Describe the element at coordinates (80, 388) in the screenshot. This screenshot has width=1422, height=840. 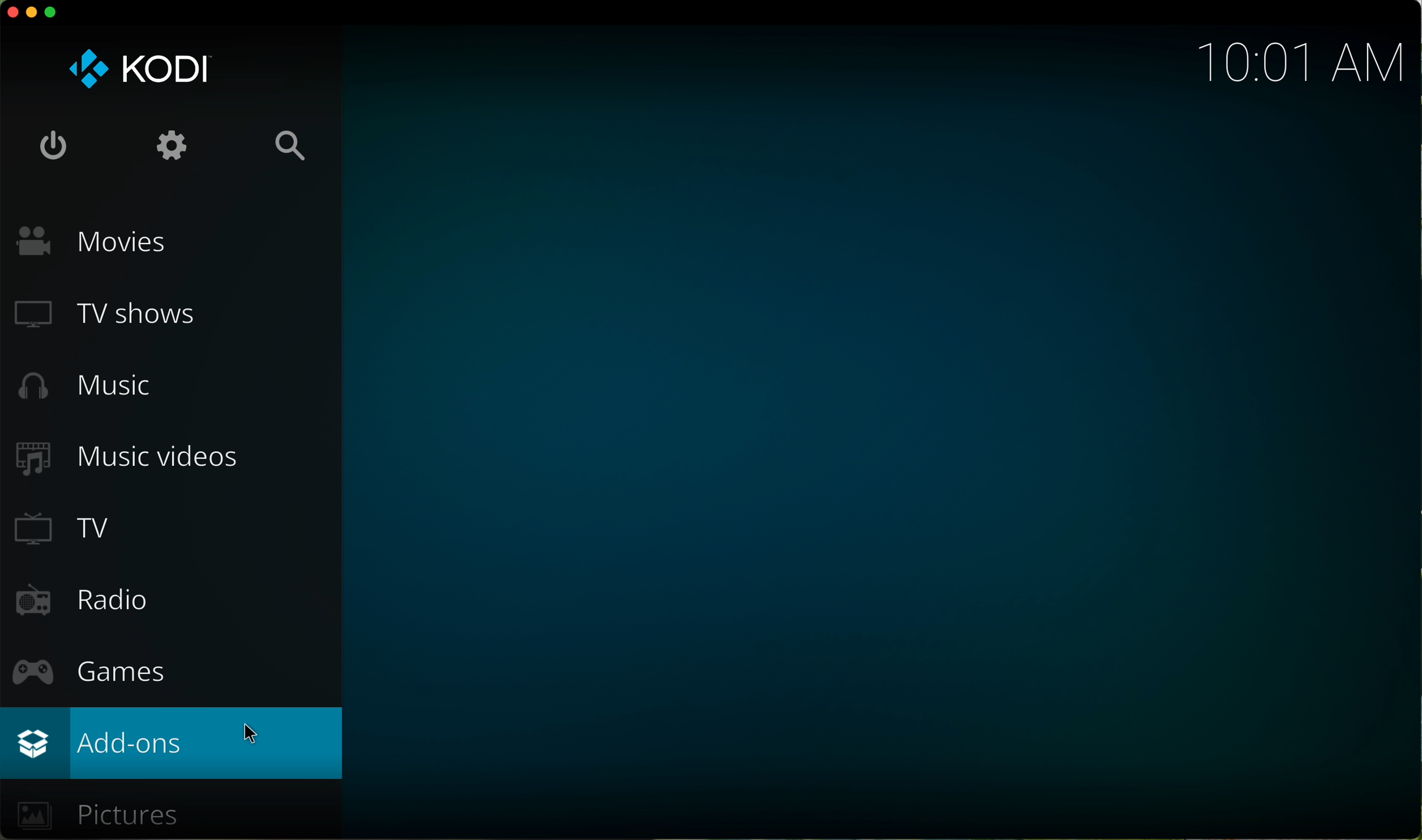
I see `music` at that location.